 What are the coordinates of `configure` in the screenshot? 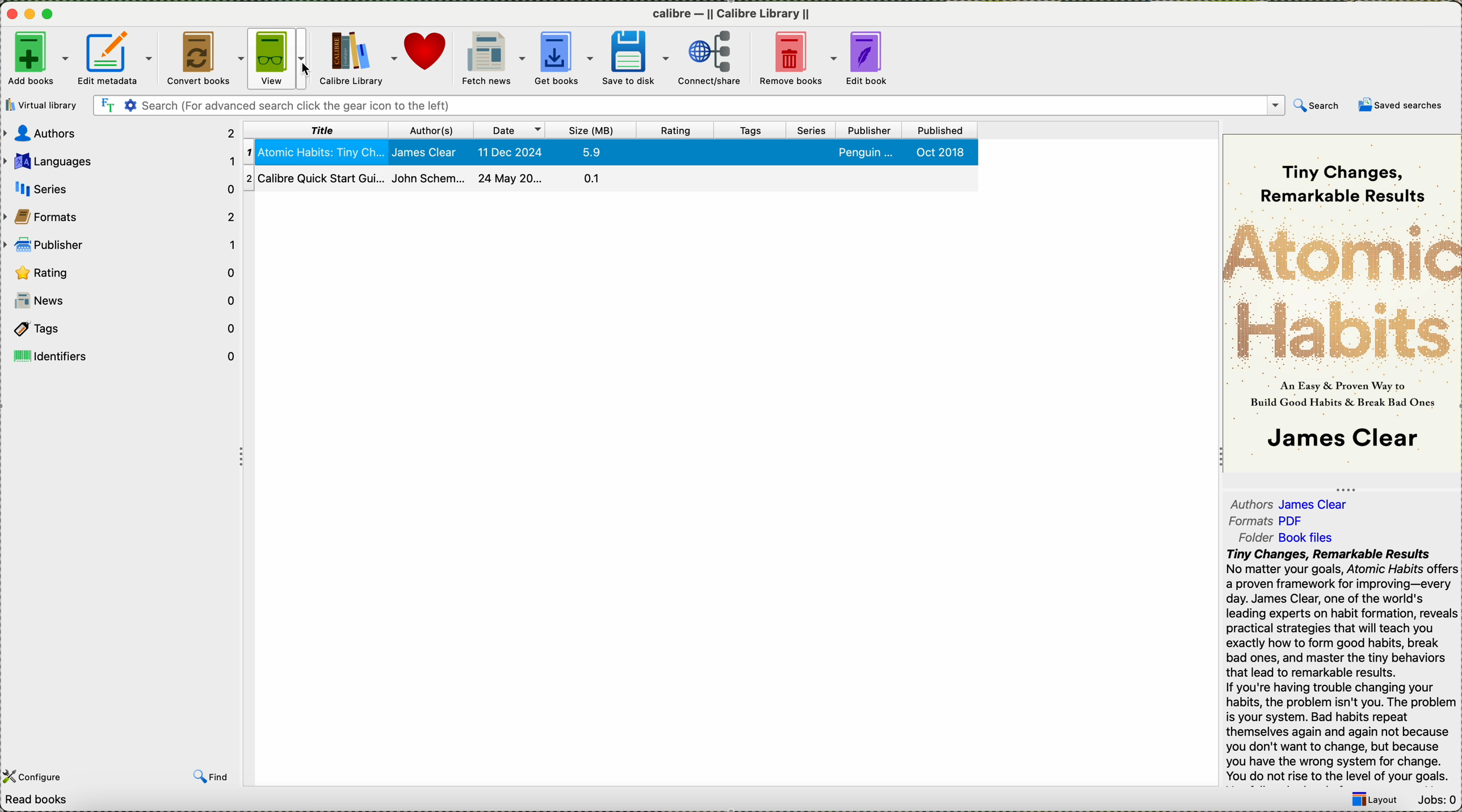 It's located at (45, 779).